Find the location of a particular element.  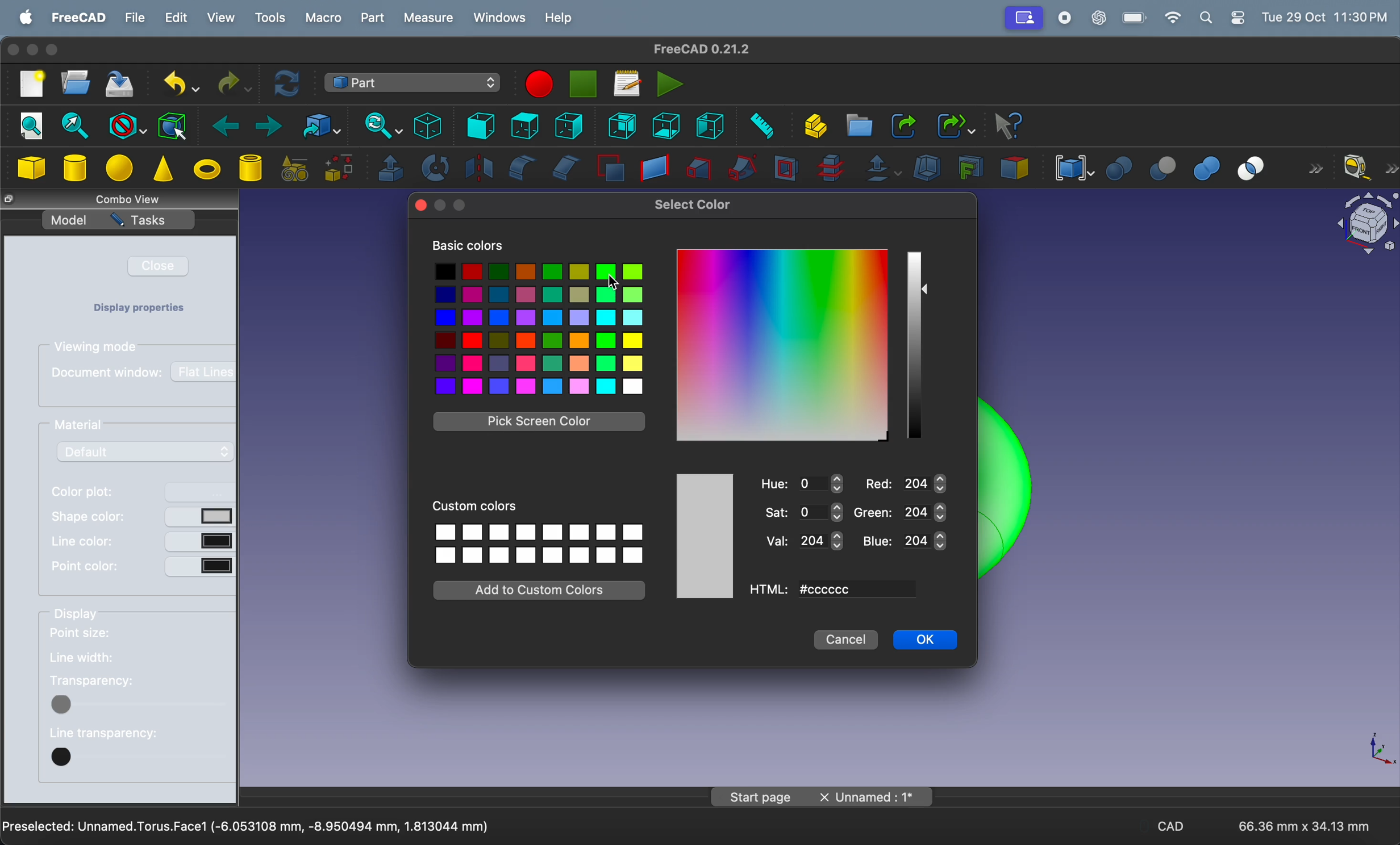

close is located at coordinates (421, 206).